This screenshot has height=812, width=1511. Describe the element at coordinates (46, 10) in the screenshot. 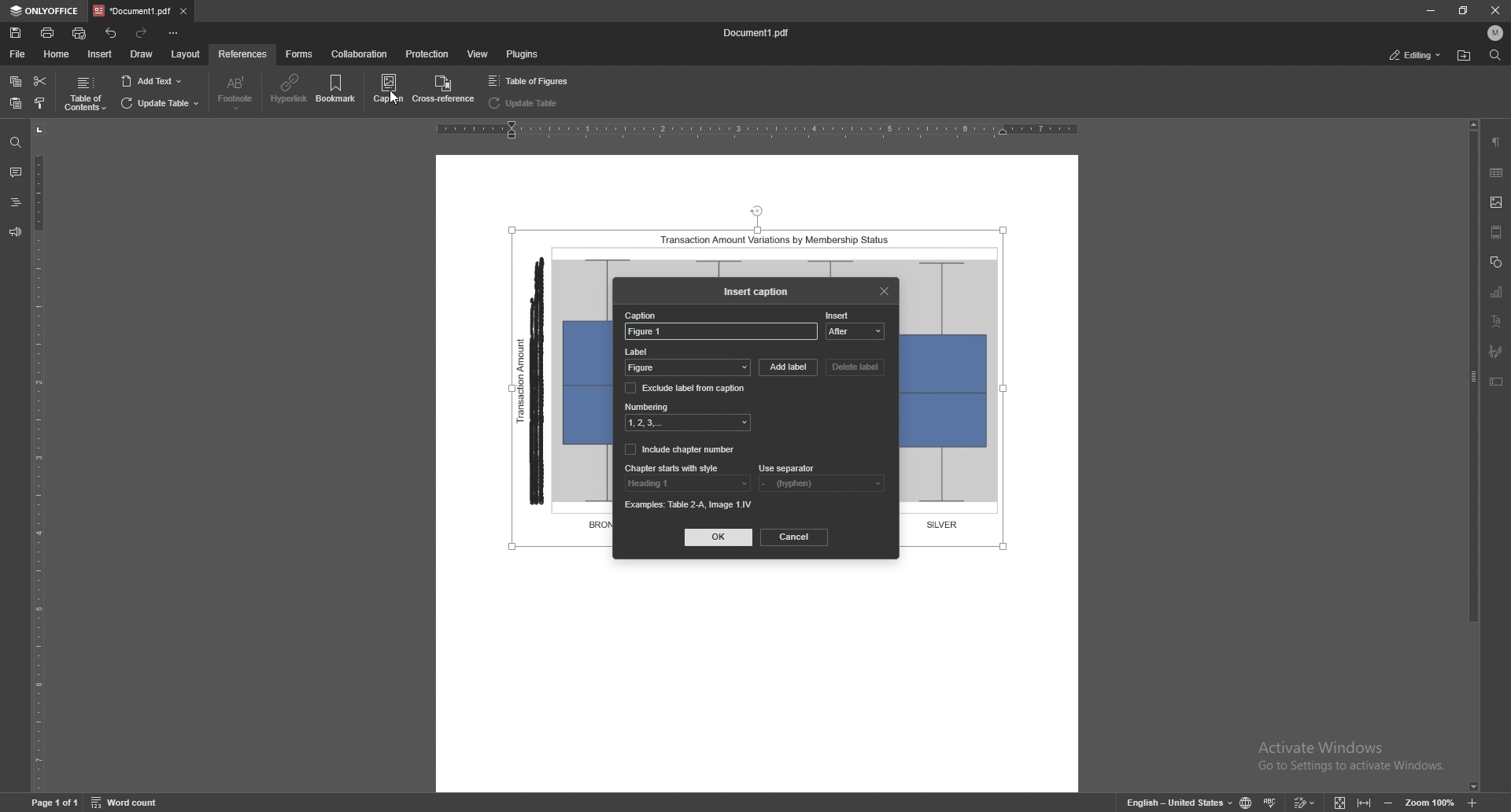

I see `onlyoffice` at that location.